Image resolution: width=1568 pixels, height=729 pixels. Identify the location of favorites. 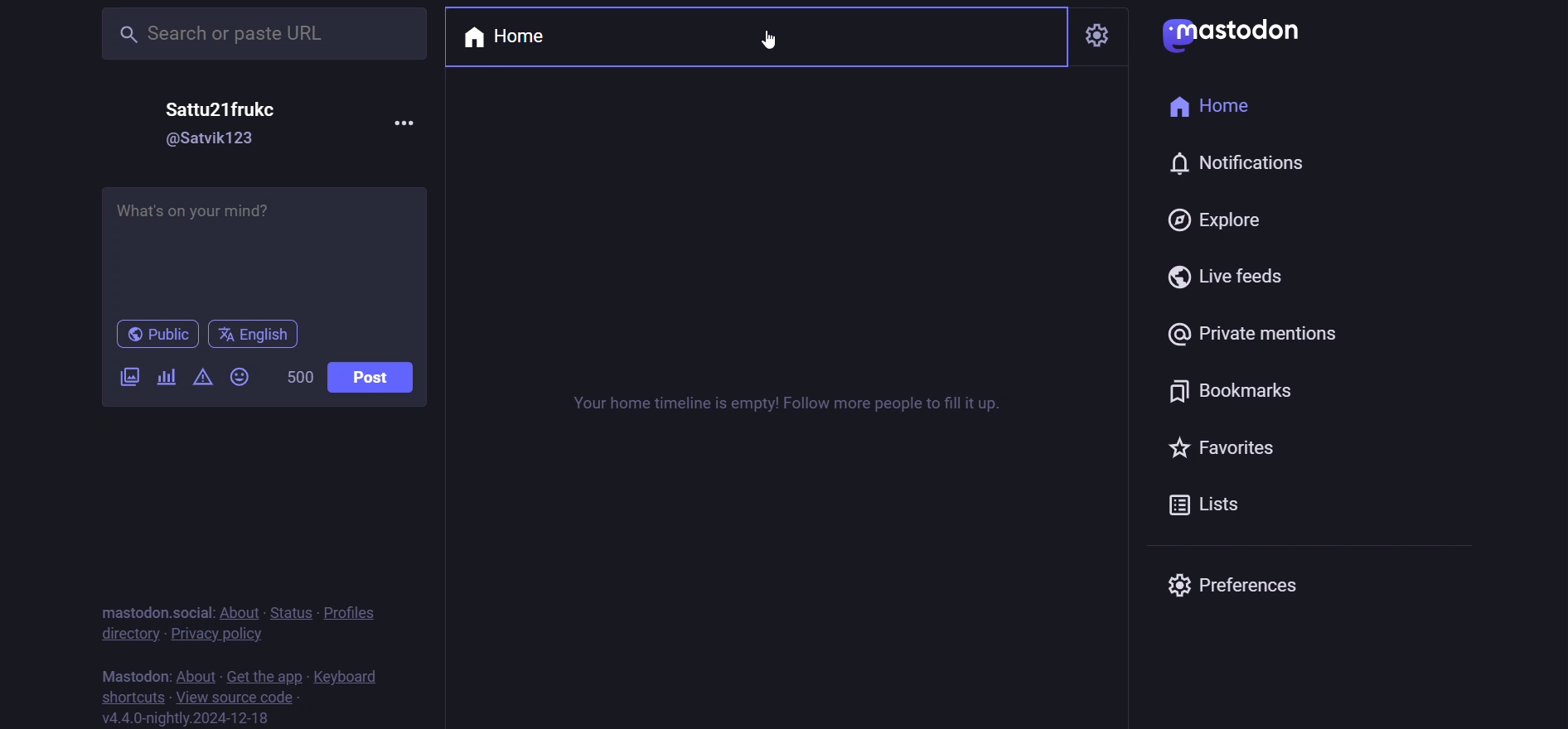
(1251, 452).